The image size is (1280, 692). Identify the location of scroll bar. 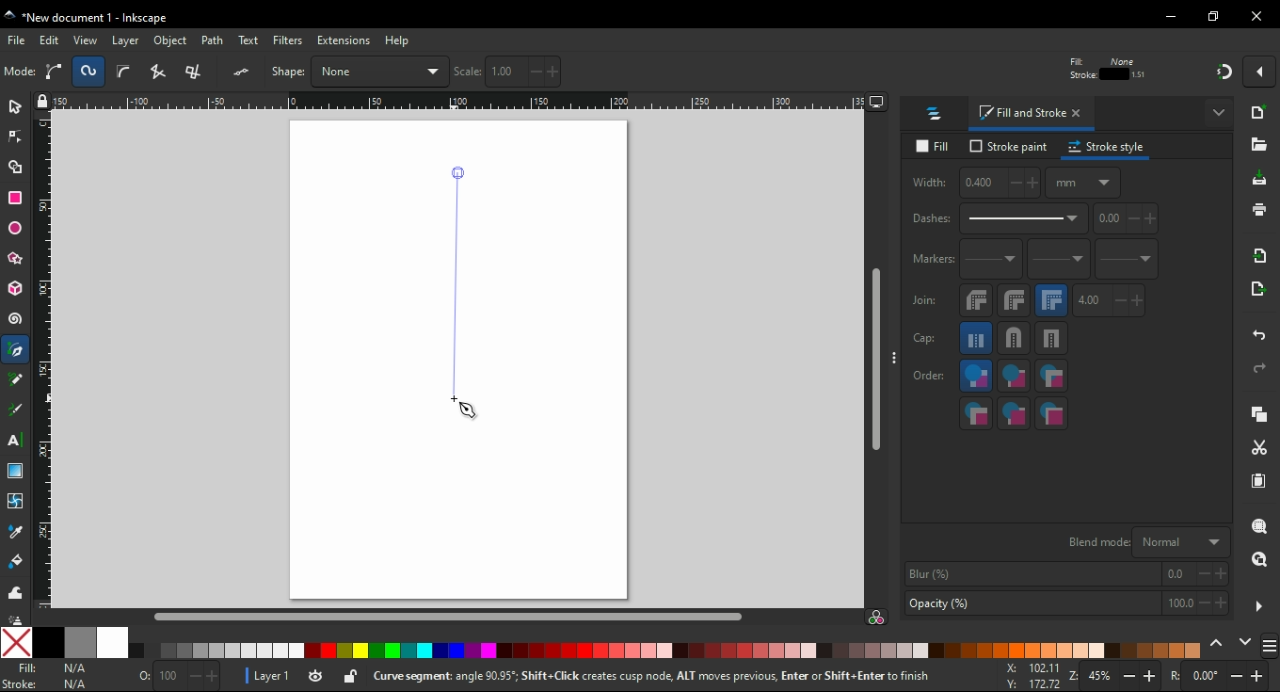
(452, 615).